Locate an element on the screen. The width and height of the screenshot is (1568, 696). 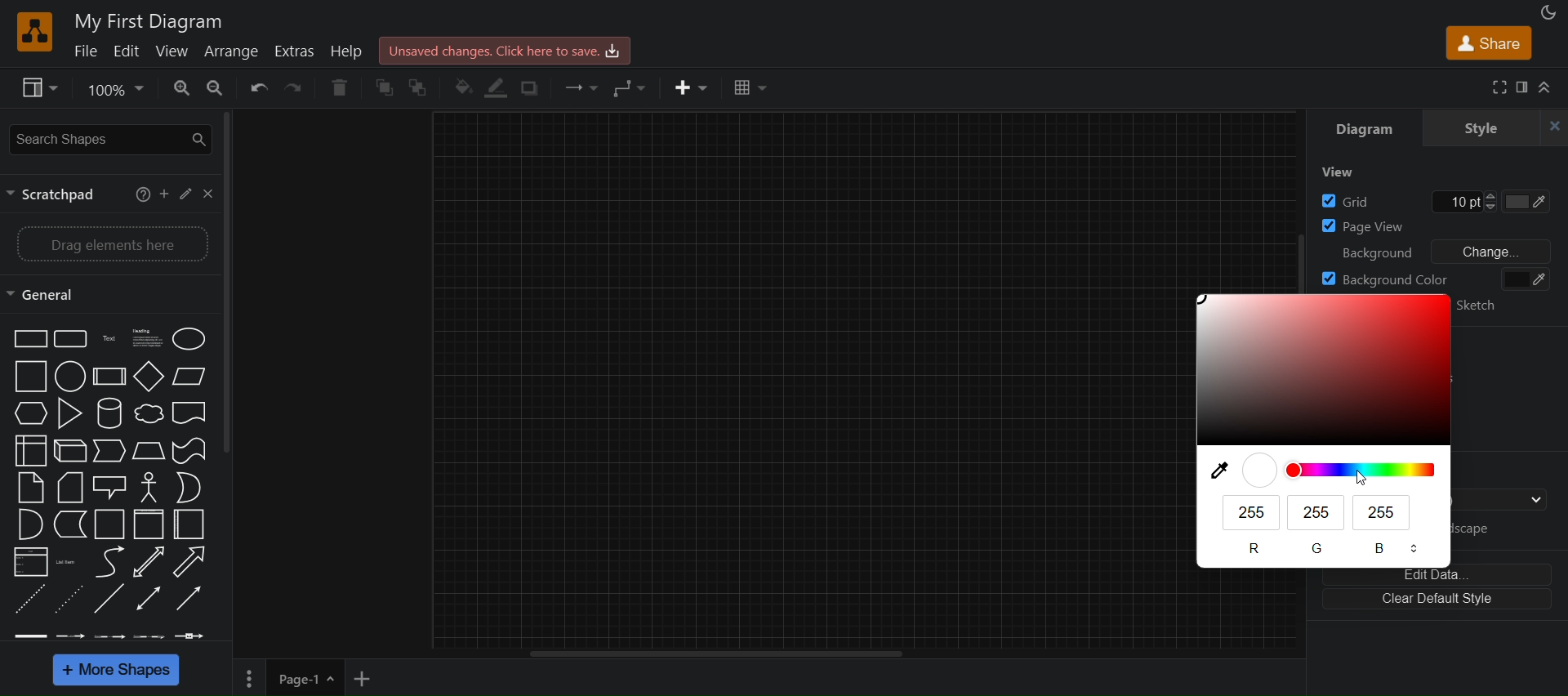
scractpad is located at coordinates (59, 196).